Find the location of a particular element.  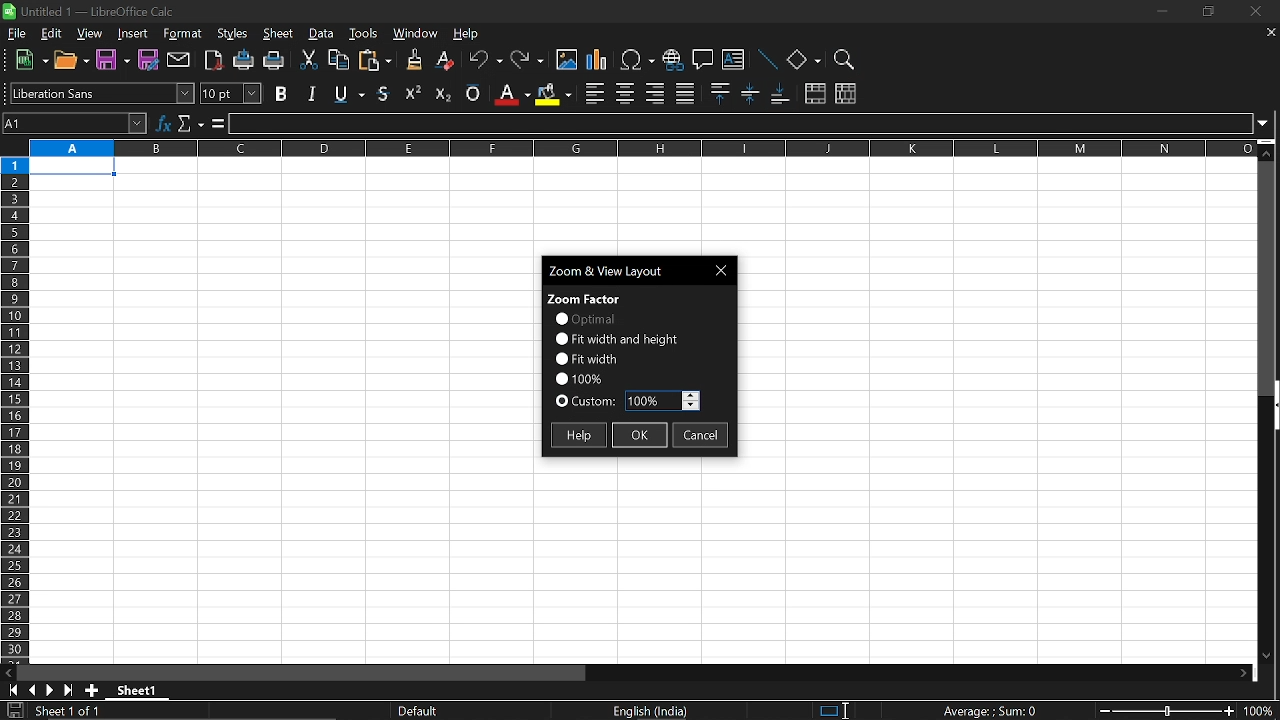

background color is located at coordinates (552, 93).